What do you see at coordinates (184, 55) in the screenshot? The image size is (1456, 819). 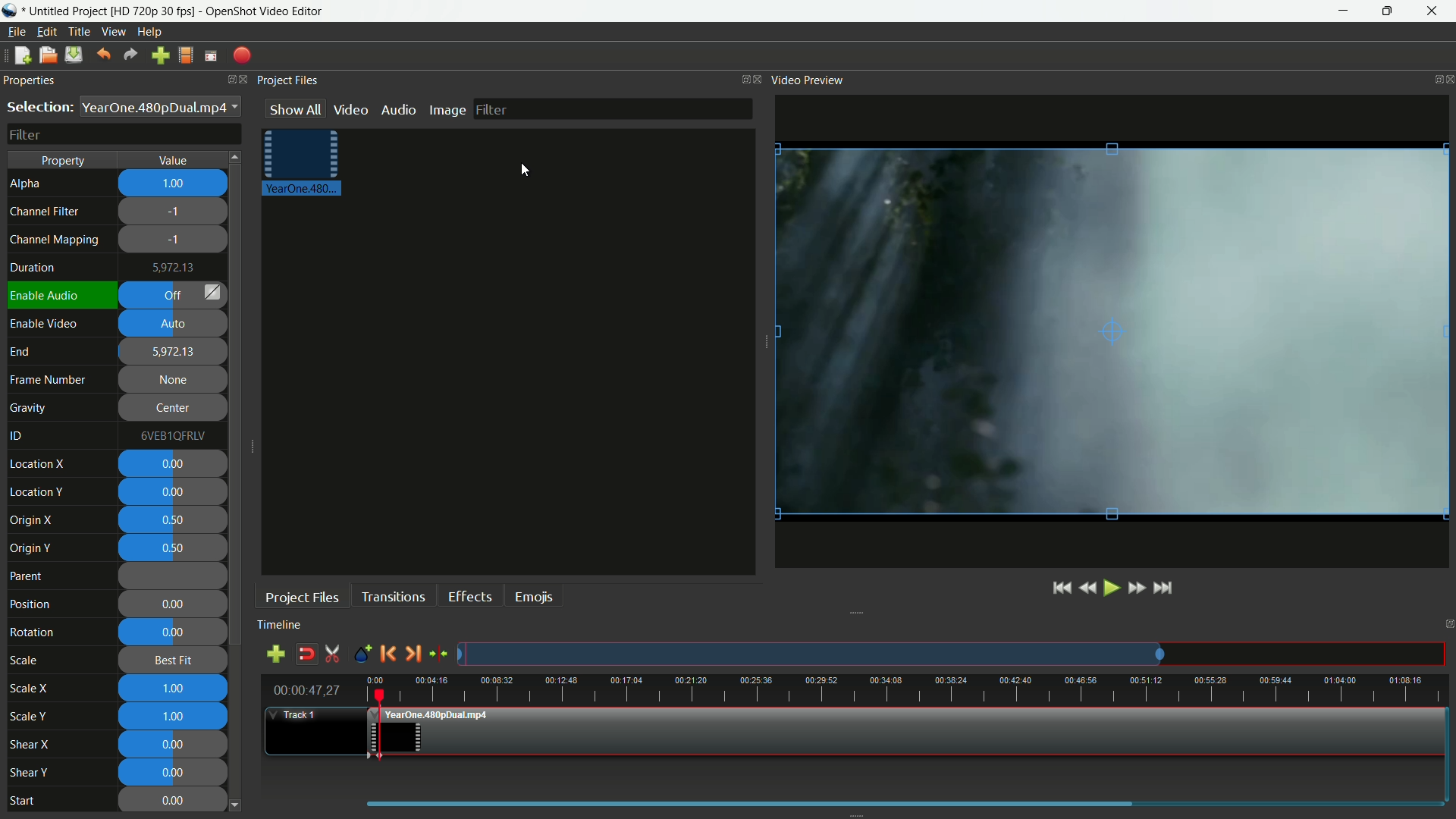 I see `profile` at bounding box center [184, 55].